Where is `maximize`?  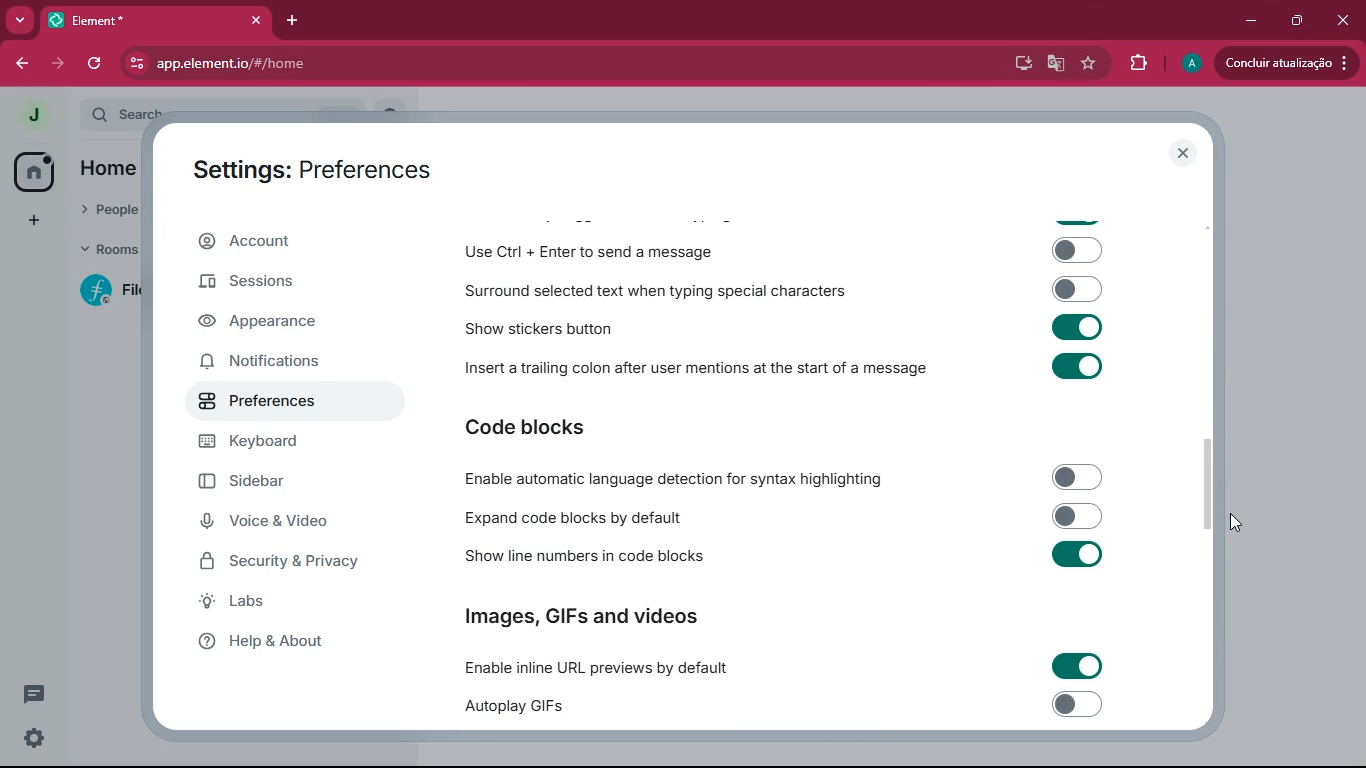
maximize is located at coordinates (1299, 22).